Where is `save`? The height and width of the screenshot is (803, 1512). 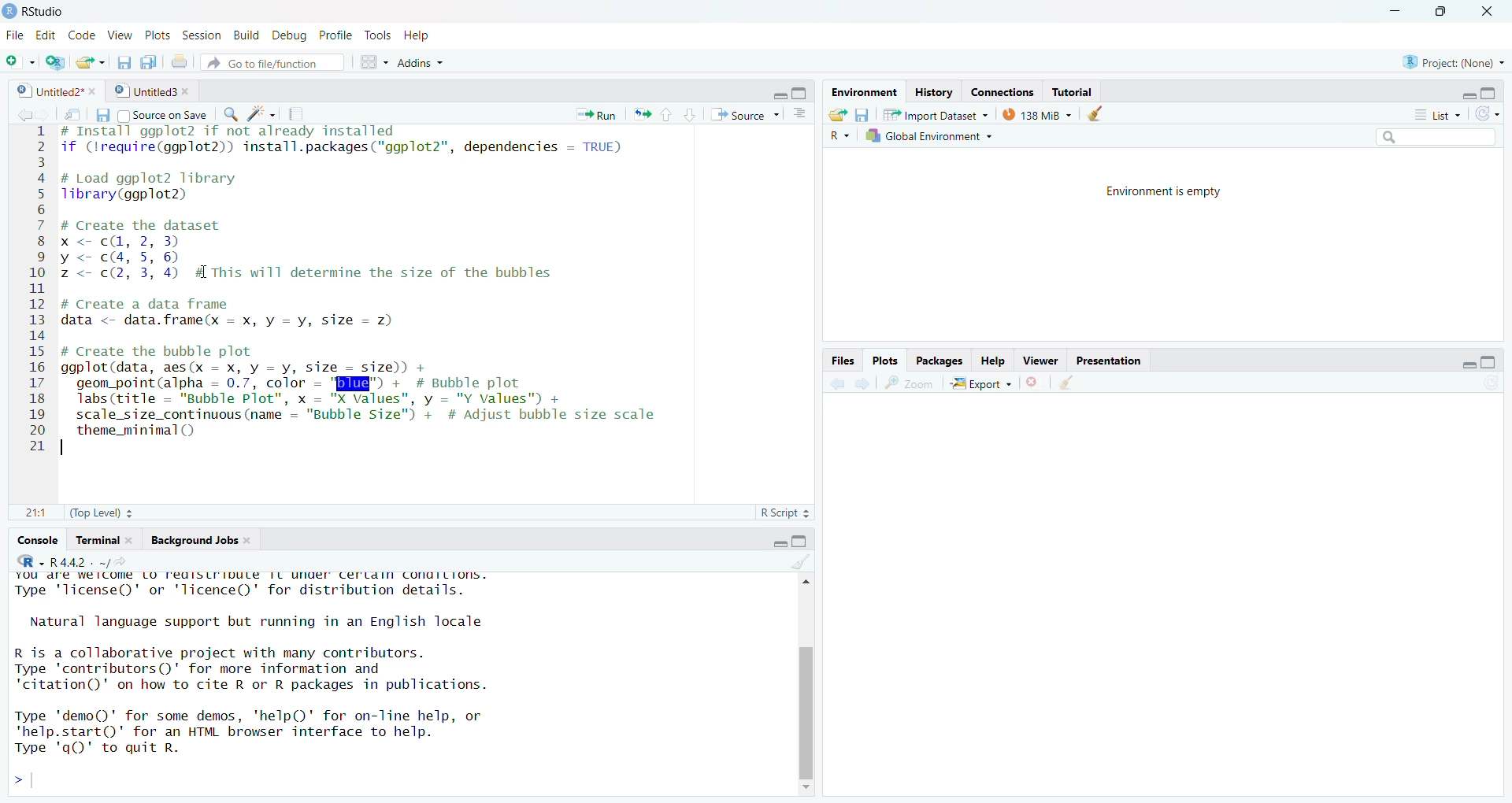
save is located at coordinates (98, 115).